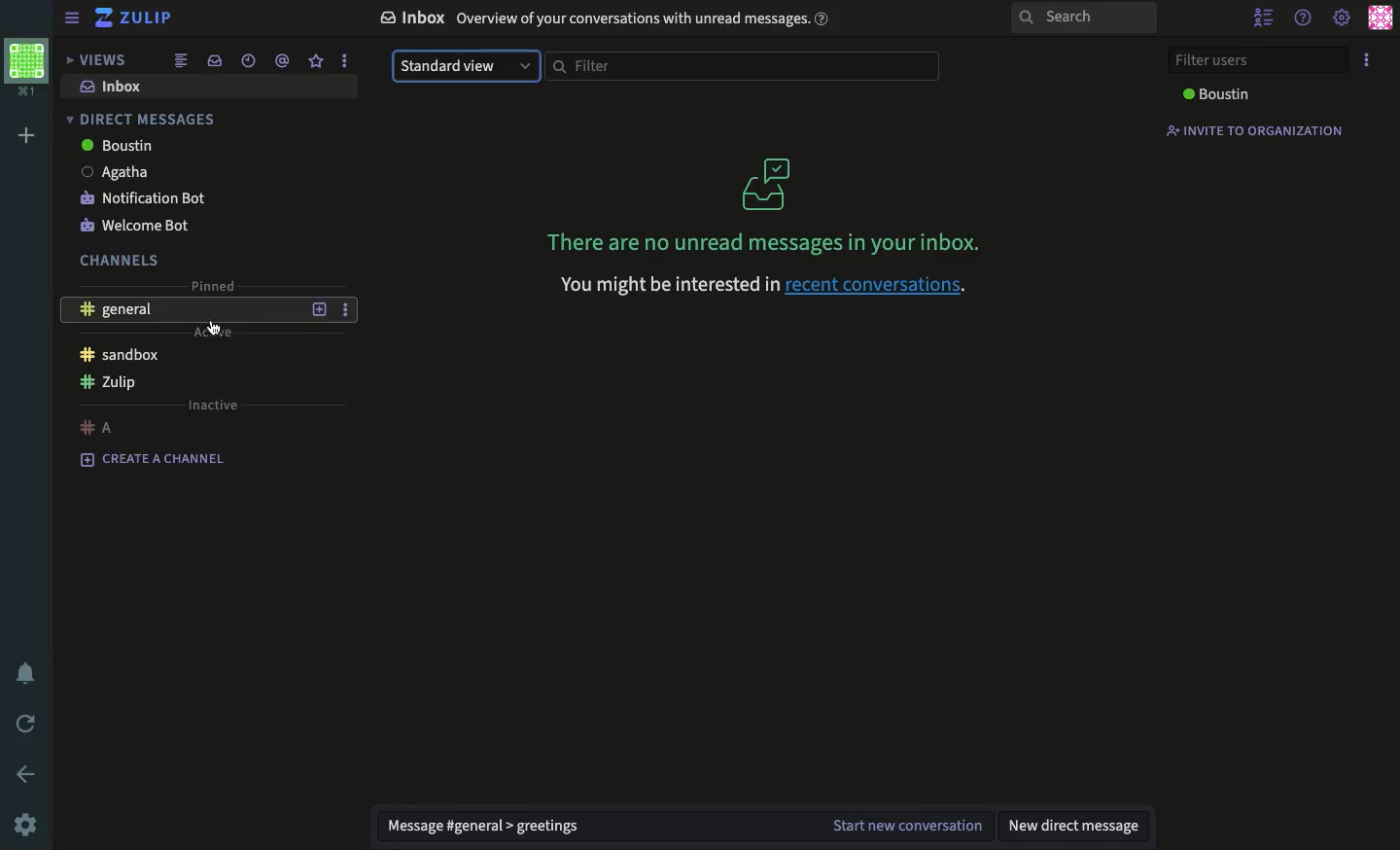 The height and width of the screenshot is (850, 1400). What do you see at coordinates (115, 171) in the screenshot?
I see `Agatha ` at bounding box center [115, 171].